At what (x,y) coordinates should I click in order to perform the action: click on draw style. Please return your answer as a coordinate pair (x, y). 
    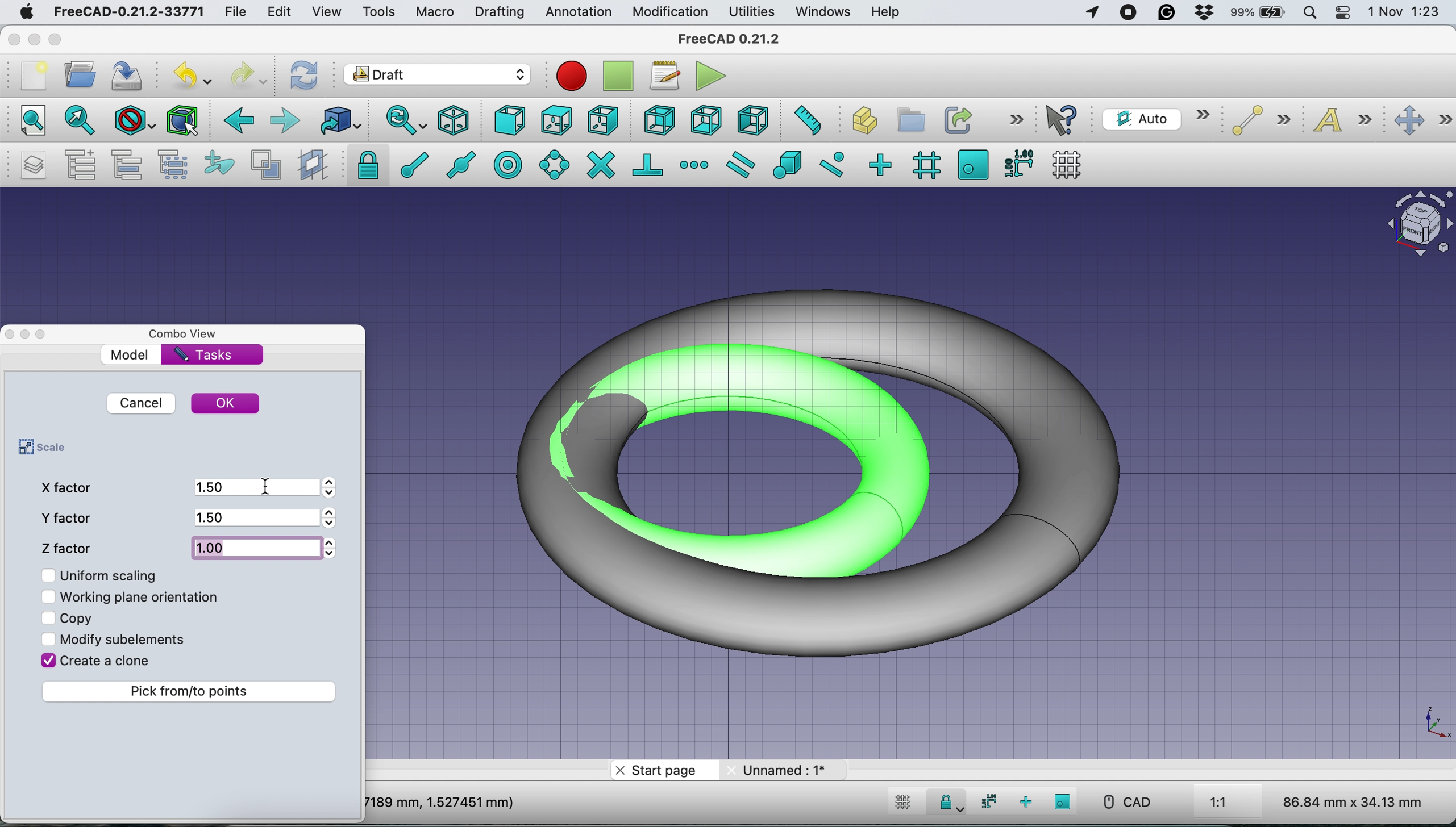
    Looking at the image, I should click on (132, 123).